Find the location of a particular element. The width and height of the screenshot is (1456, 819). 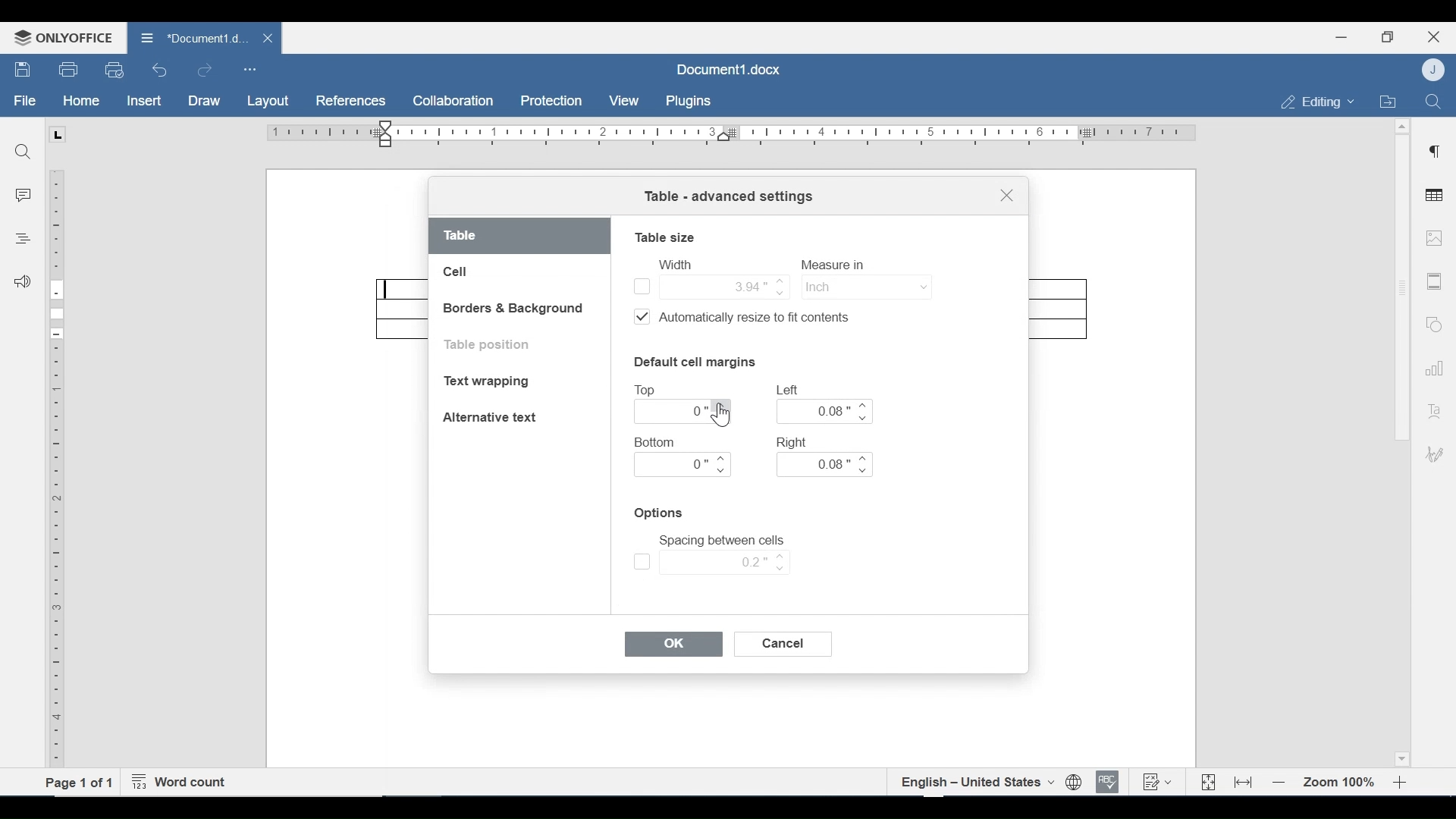

Print is located at coordinates (69, 70).